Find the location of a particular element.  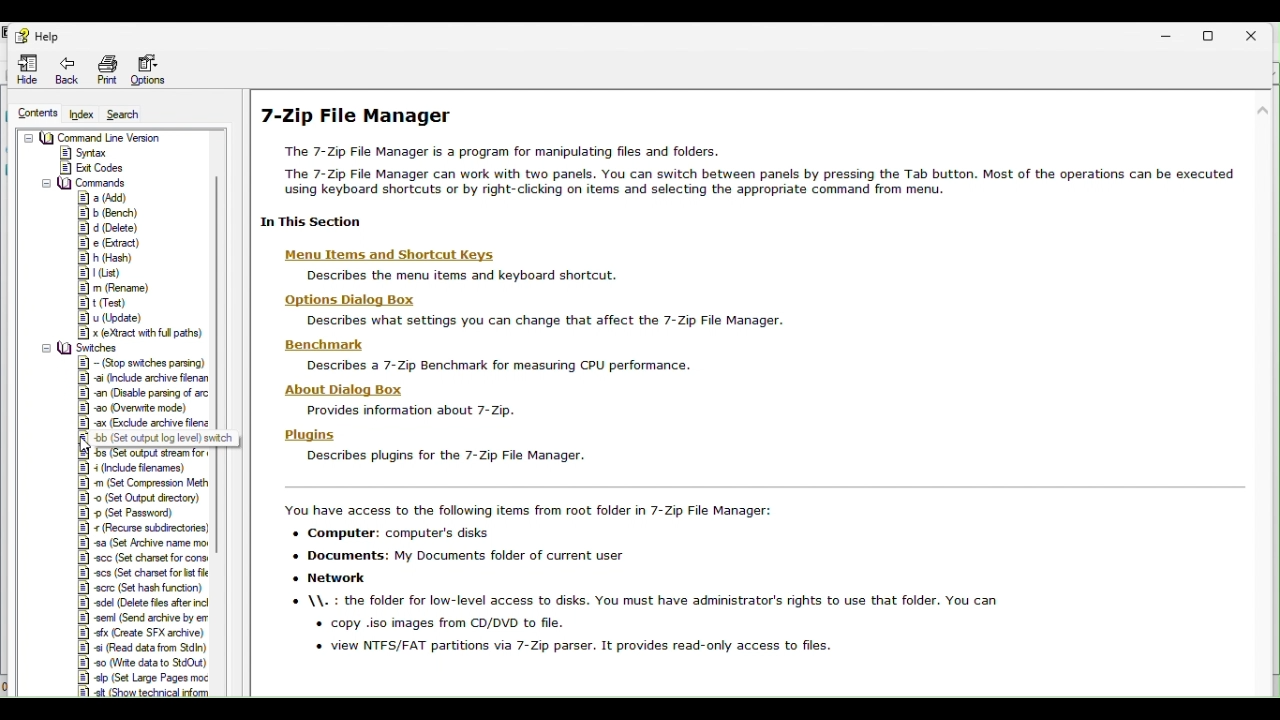

§] - (Stop switches parsing) is located at coordinates (145, 362).